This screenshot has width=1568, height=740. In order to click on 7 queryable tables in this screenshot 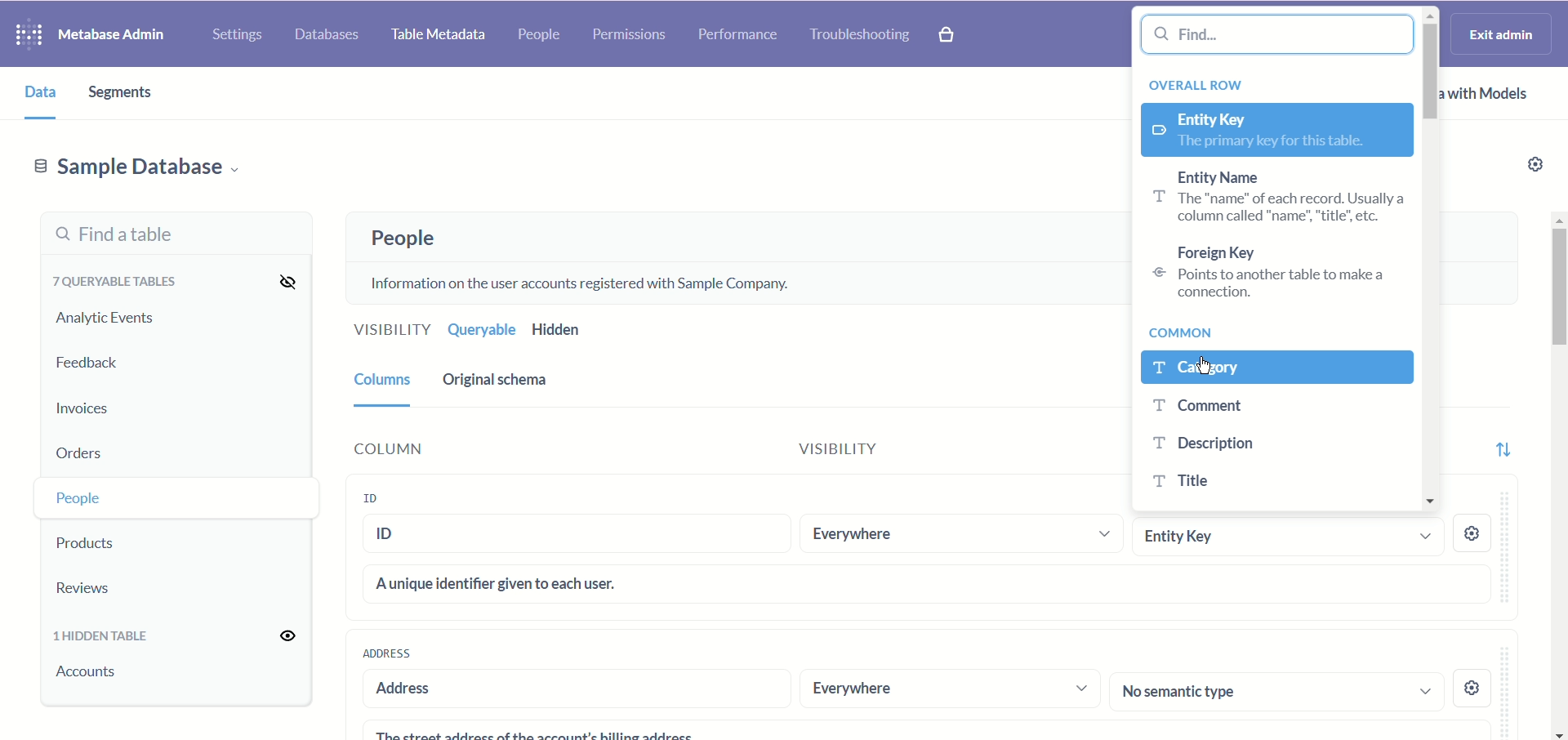, I will do `click(111, 281)`.